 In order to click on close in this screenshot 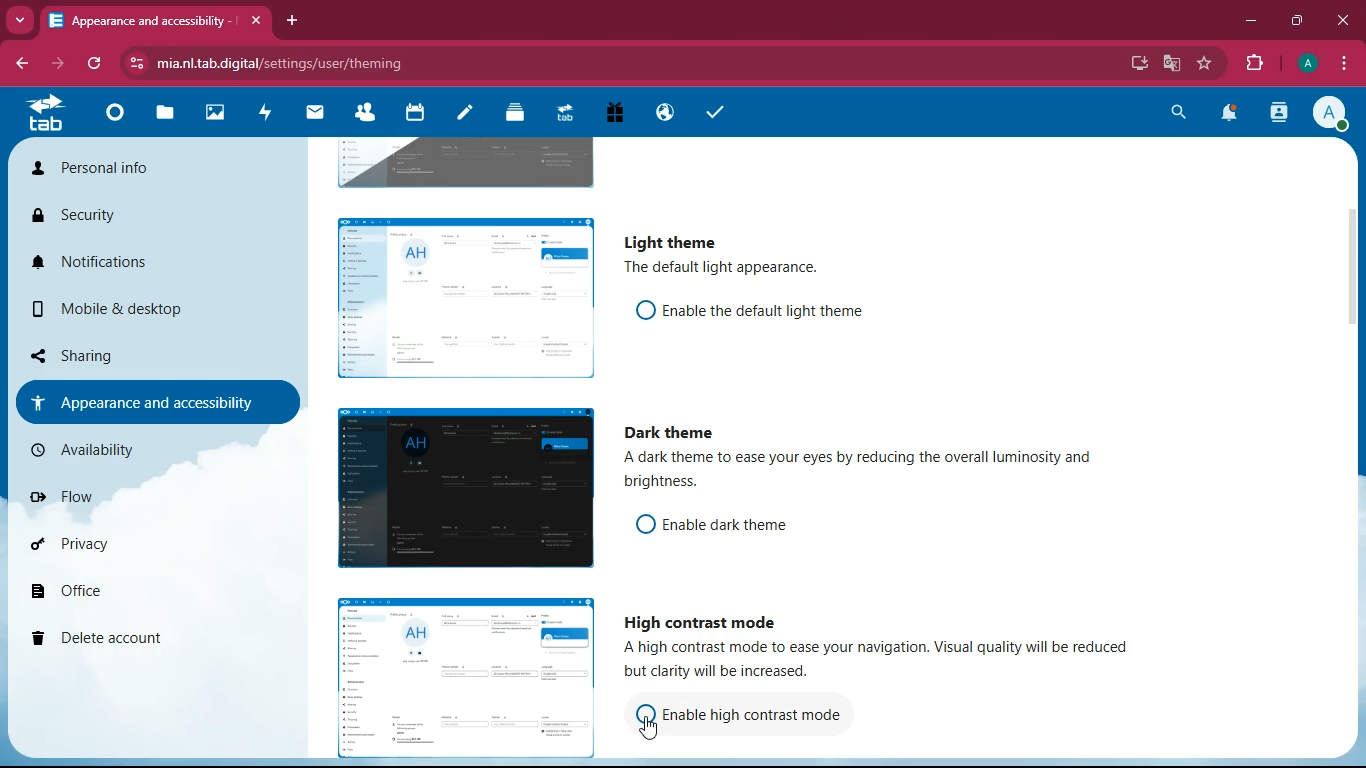, I will do `click(1341, 20)`.